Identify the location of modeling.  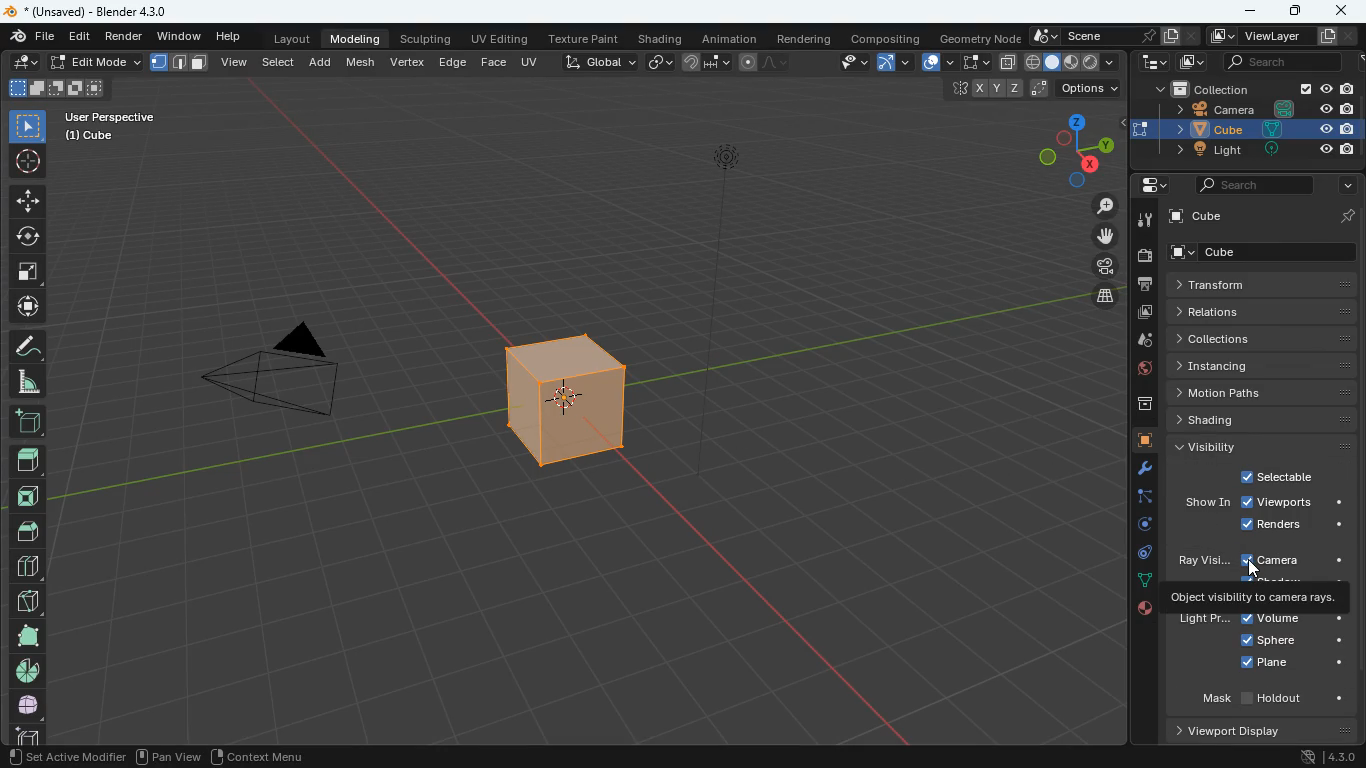
(356, 39).